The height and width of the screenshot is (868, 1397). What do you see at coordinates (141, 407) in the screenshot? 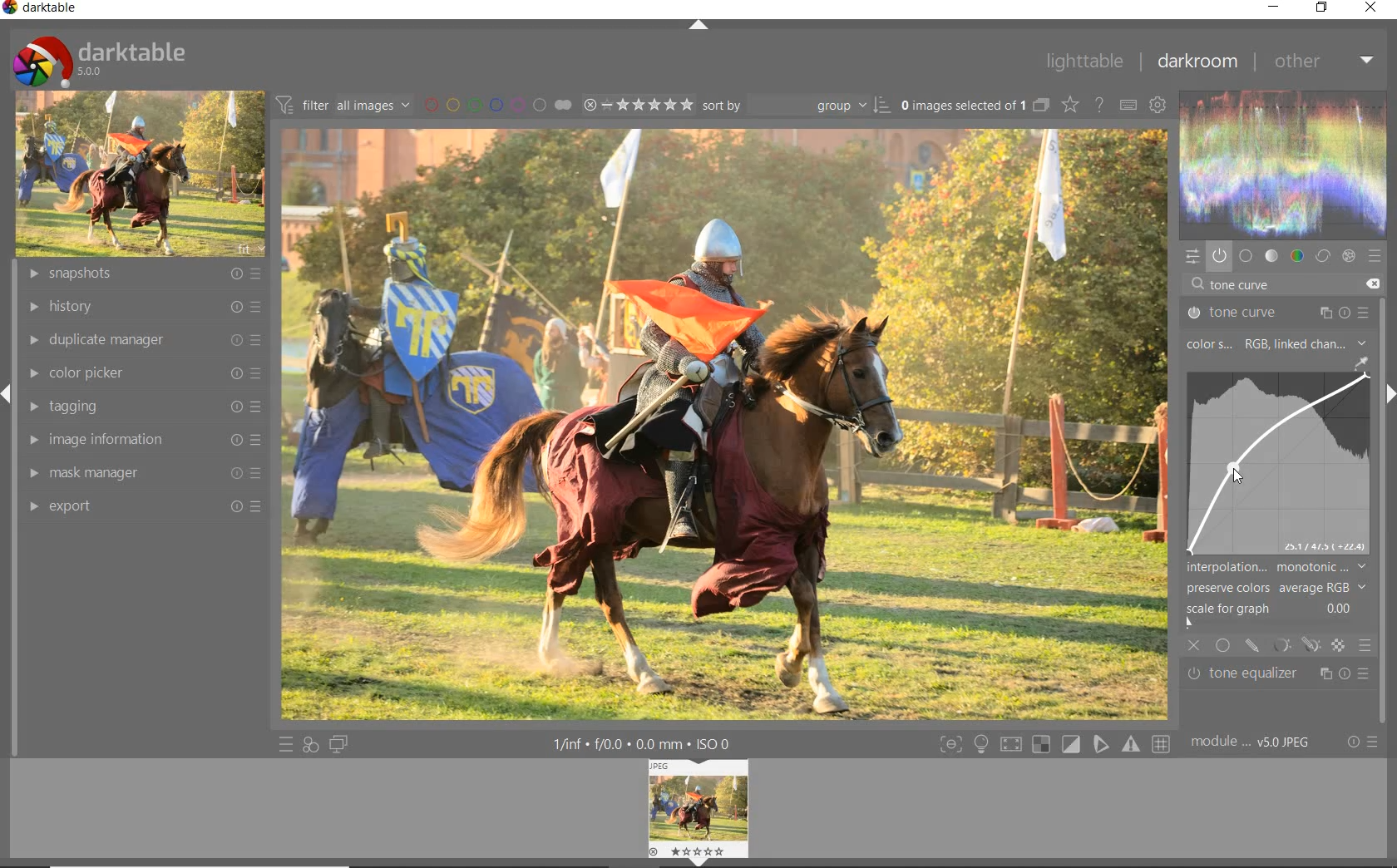
I see `tagging` at bounding box center [141, 407].